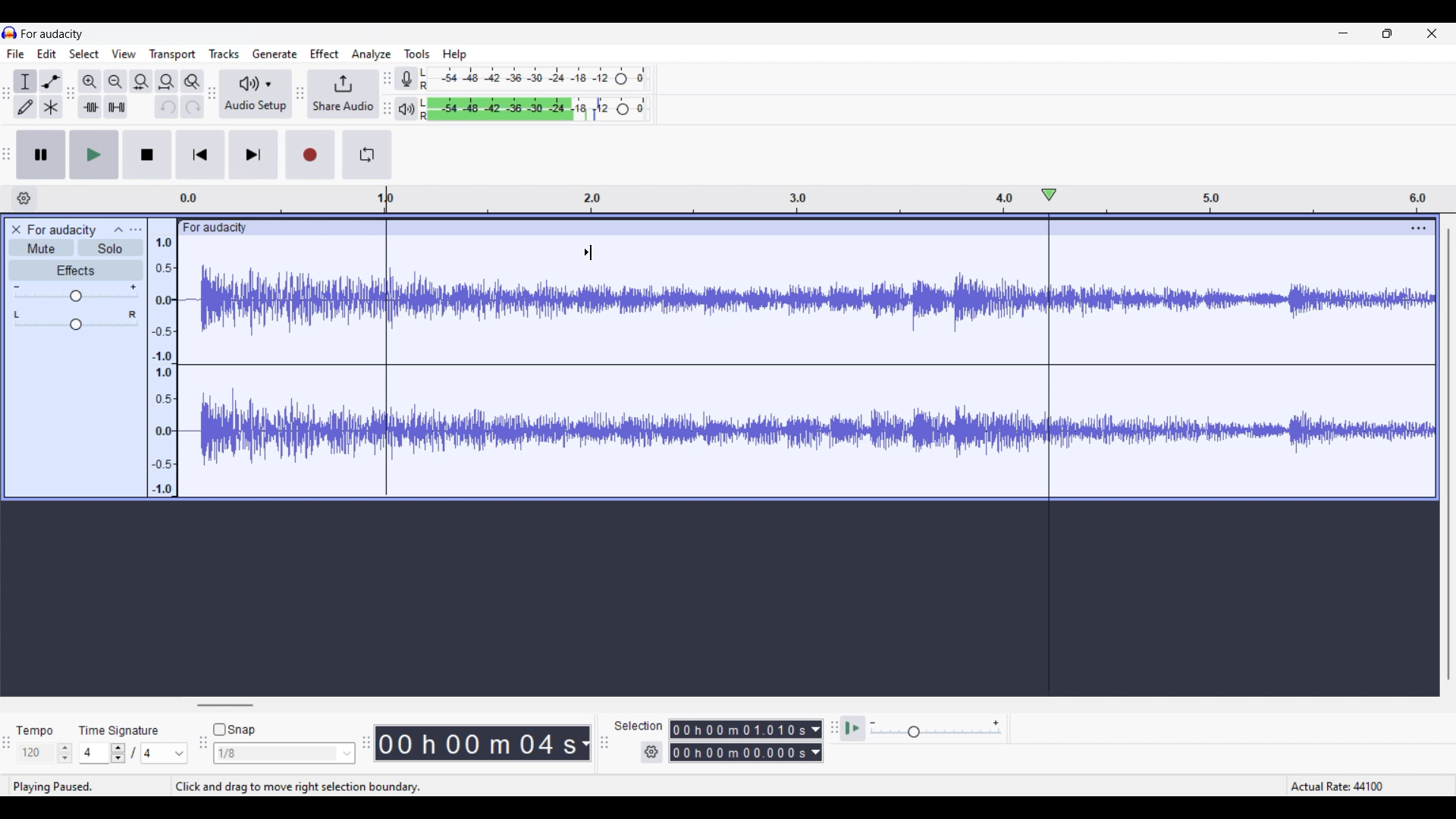  I want to click on Tempo settings, so click(45, 753).